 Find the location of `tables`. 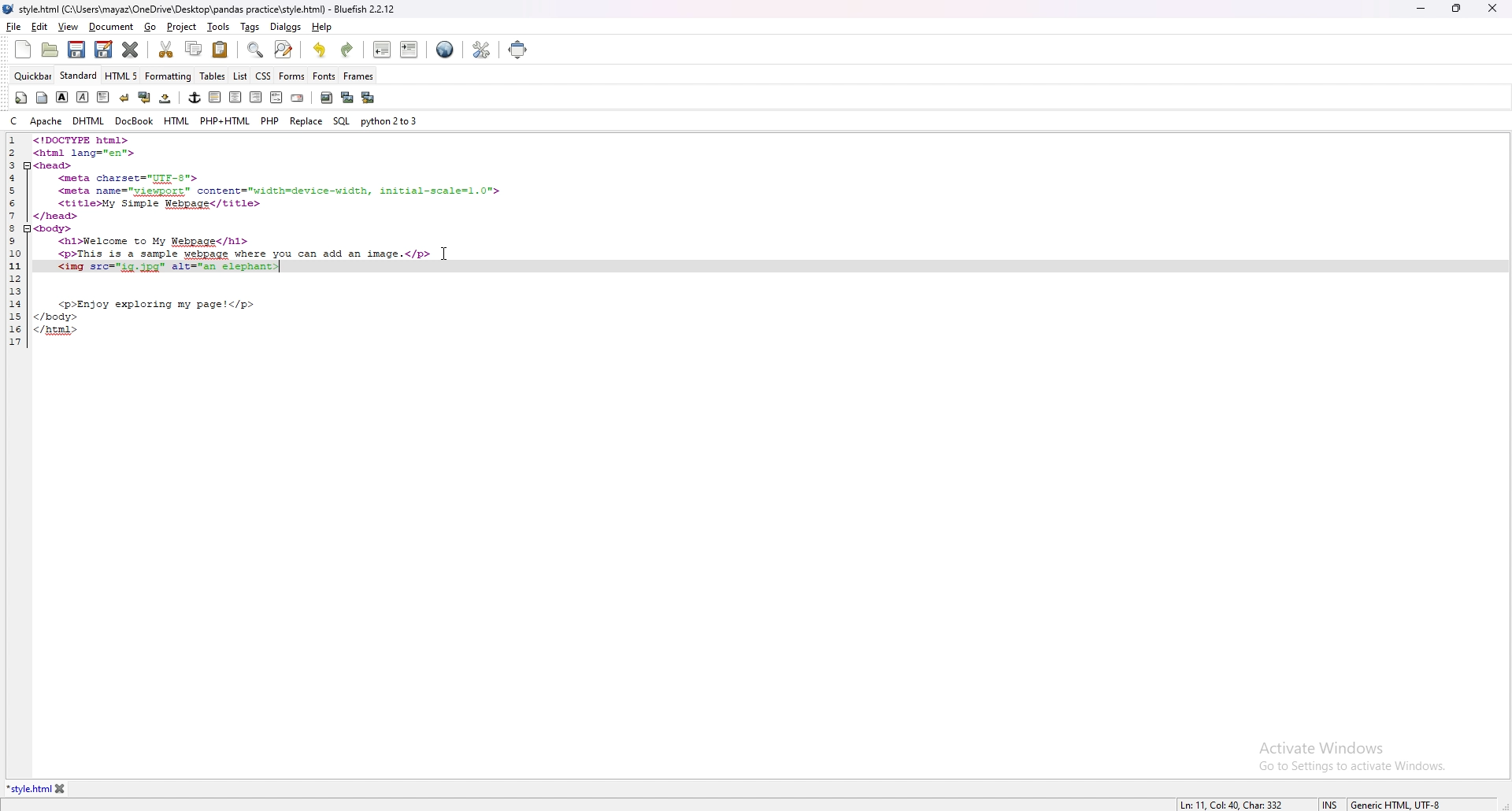

tables is located at coordinates (213, 77).